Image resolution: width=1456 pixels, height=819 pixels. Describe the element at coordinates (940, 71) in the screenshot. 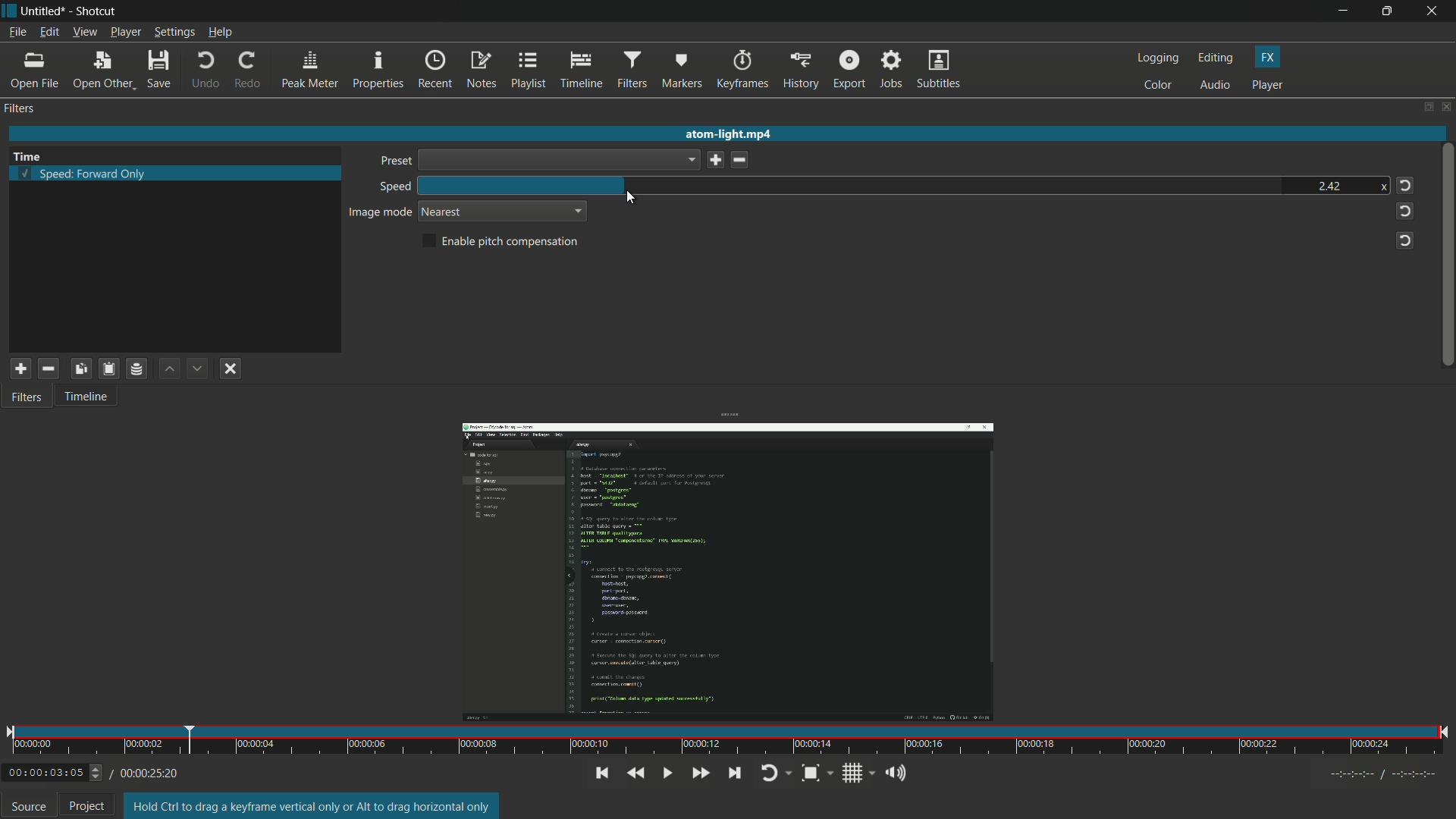

I see `subtitles` at that location.